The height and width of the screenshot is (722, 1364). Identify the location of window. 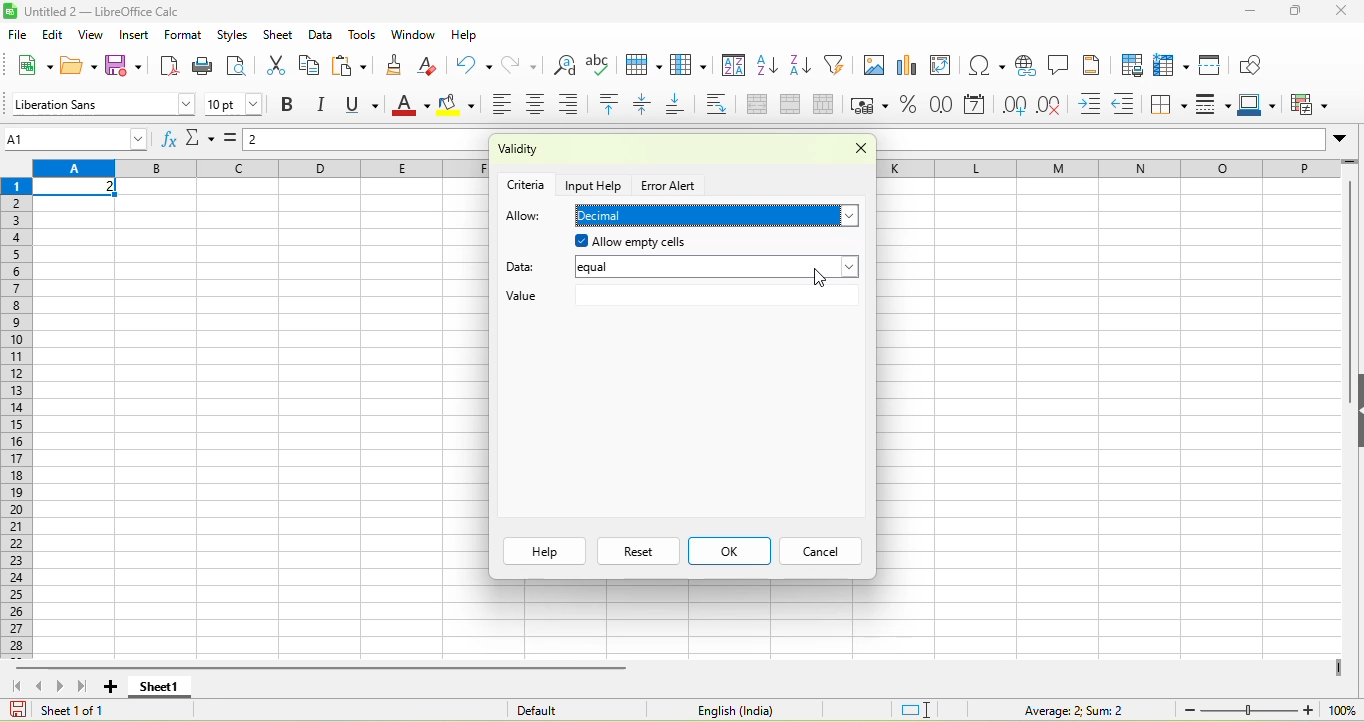
(412, 36).